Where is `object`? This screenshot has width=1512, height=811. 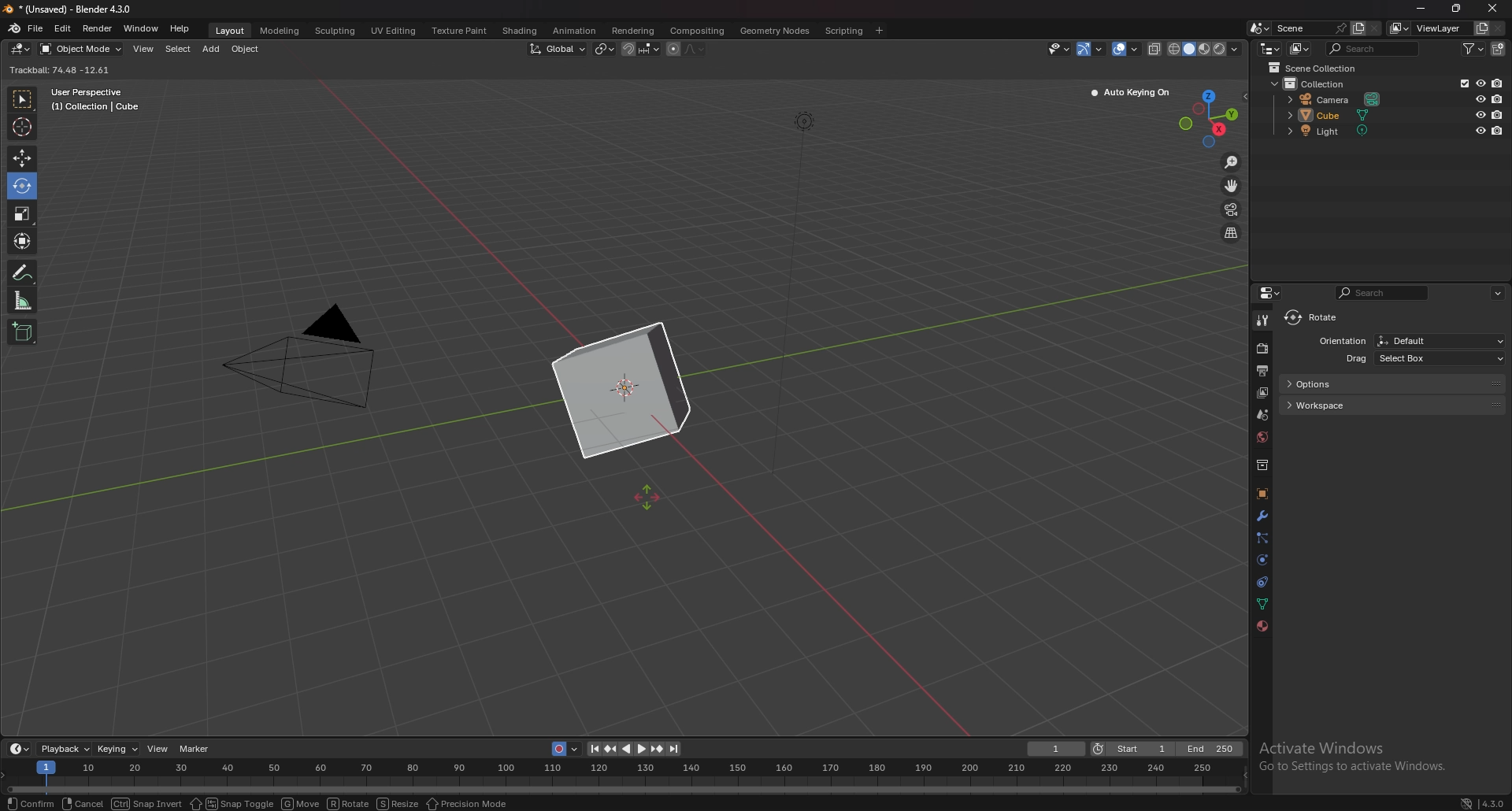
object is located at coordinates (246, 50).